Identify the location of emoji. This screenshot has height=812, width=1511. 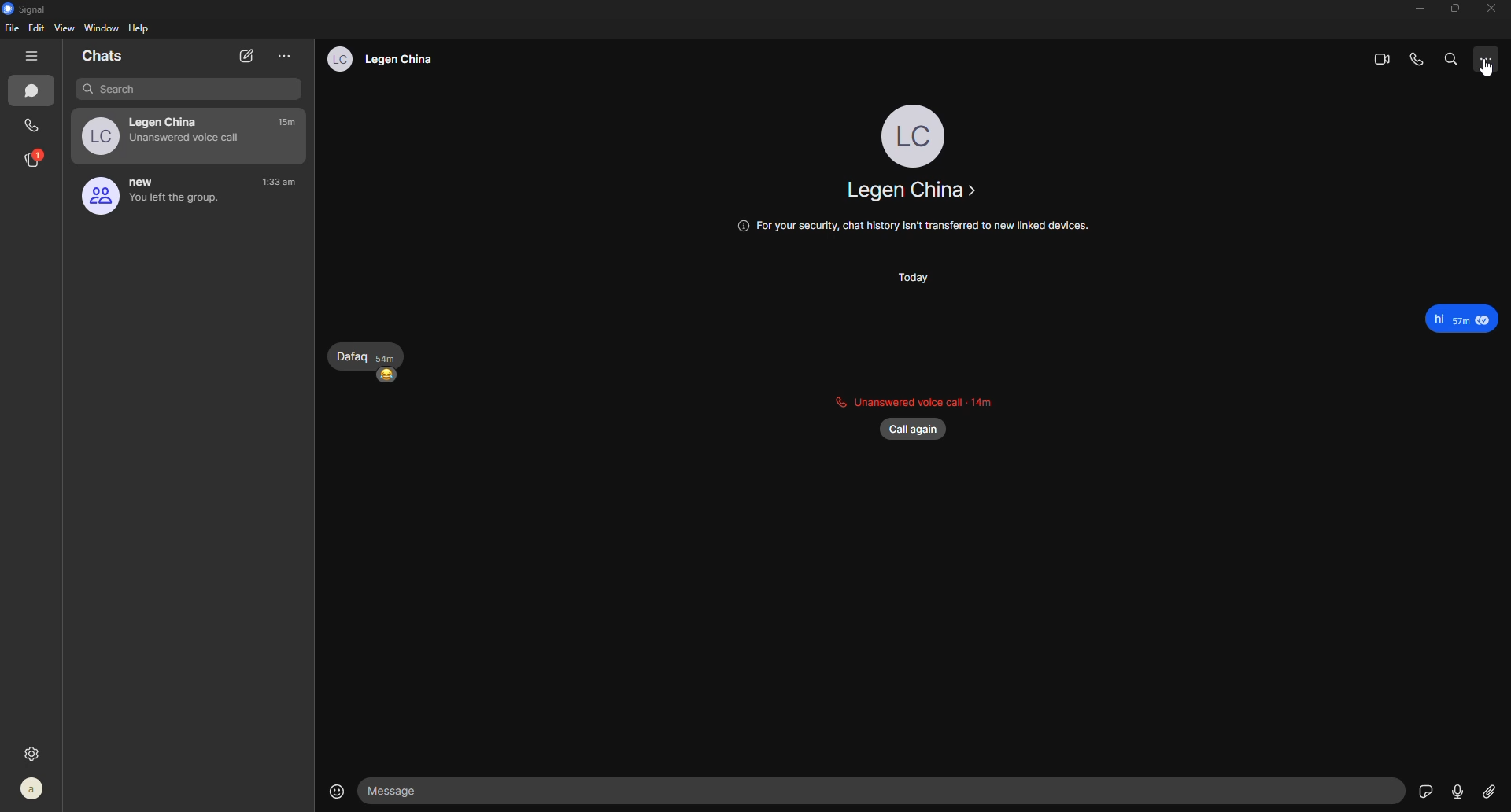
(388, 379).